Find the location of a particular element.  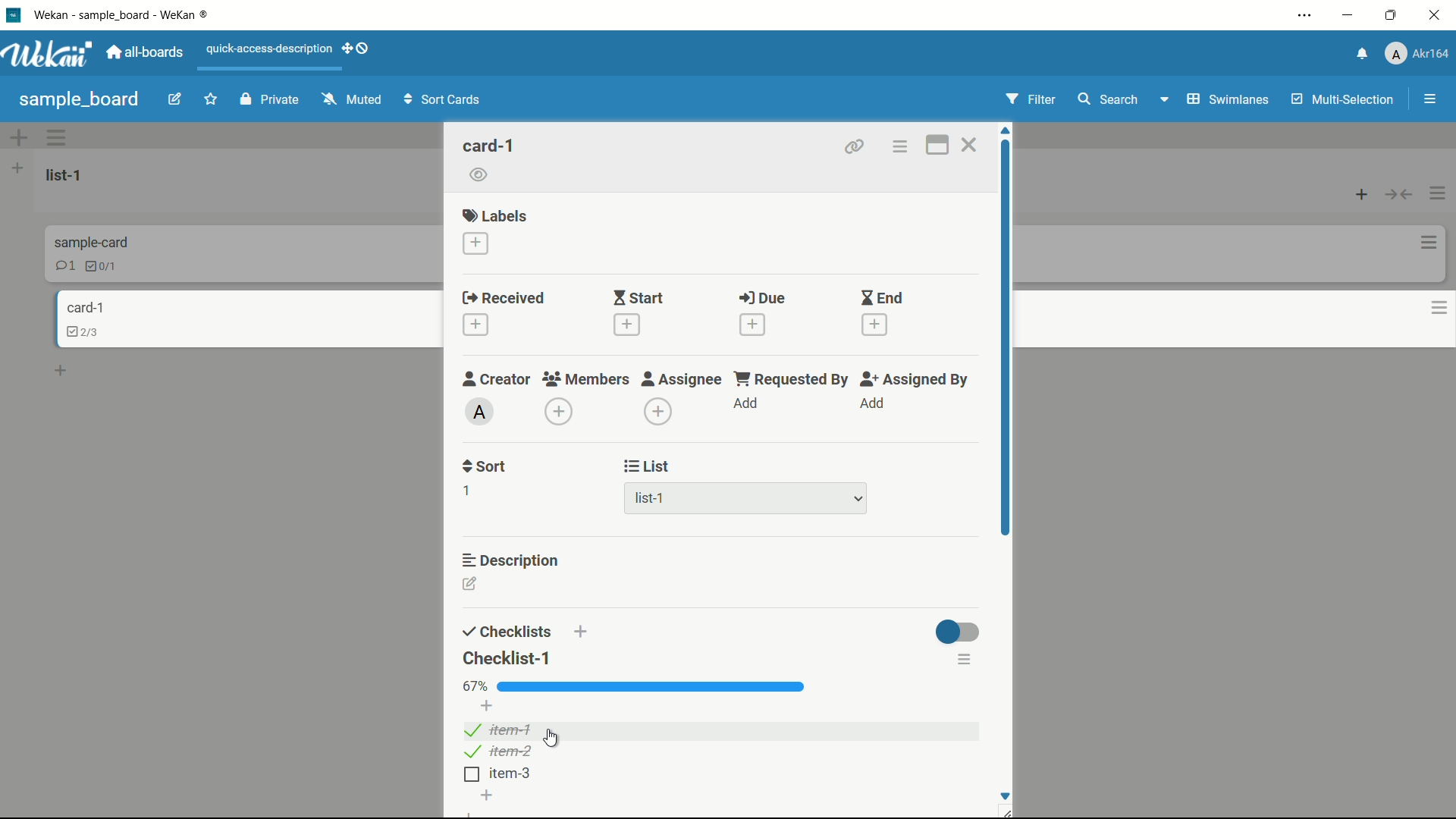

1 comment is located at coordinates (64, 265).